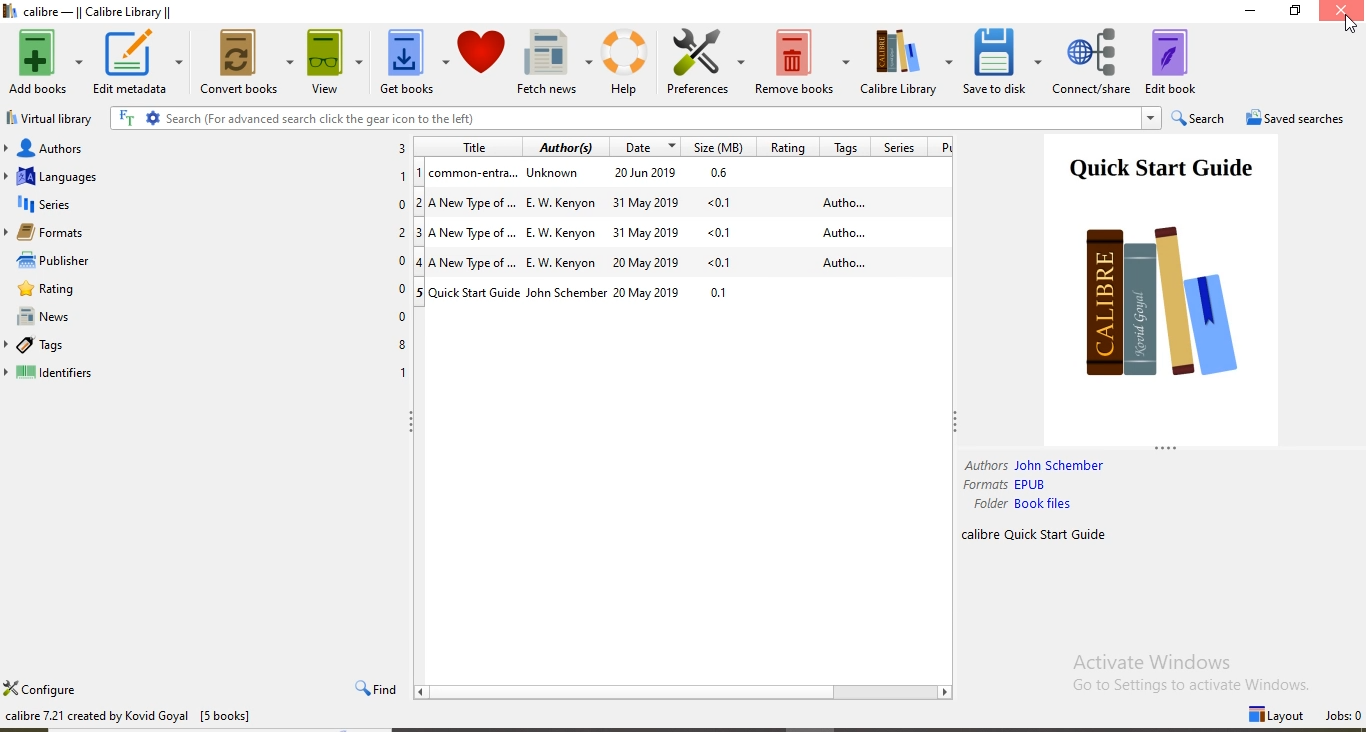 This screenshot has width=1366, height=732. I want to click on Edit book, so click(1170, 62).